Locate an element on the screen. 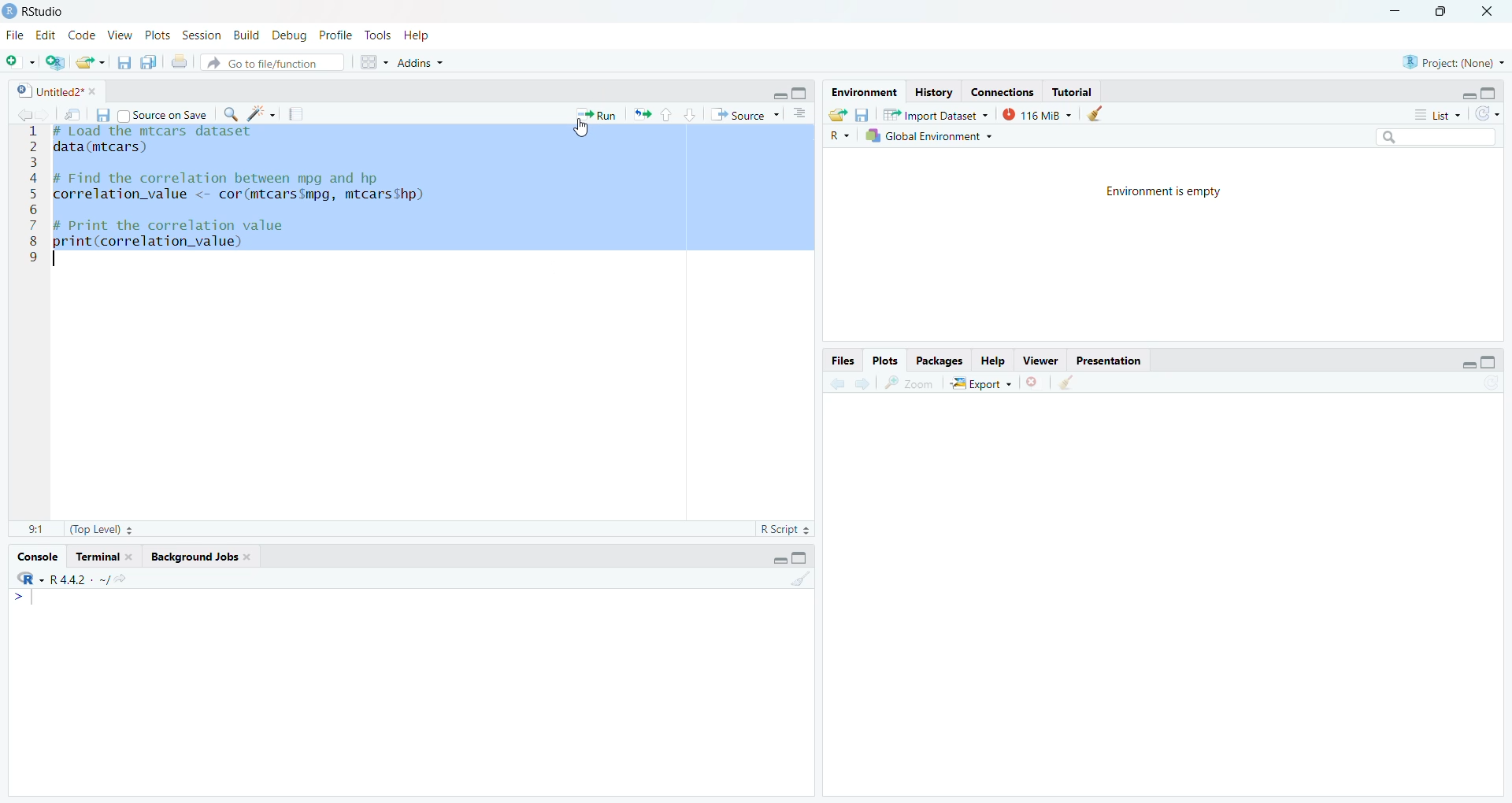 The height and width of the screenshot is (803, 1512). Clear console (Ctrl +L) is located at coordinates (1101, 113).